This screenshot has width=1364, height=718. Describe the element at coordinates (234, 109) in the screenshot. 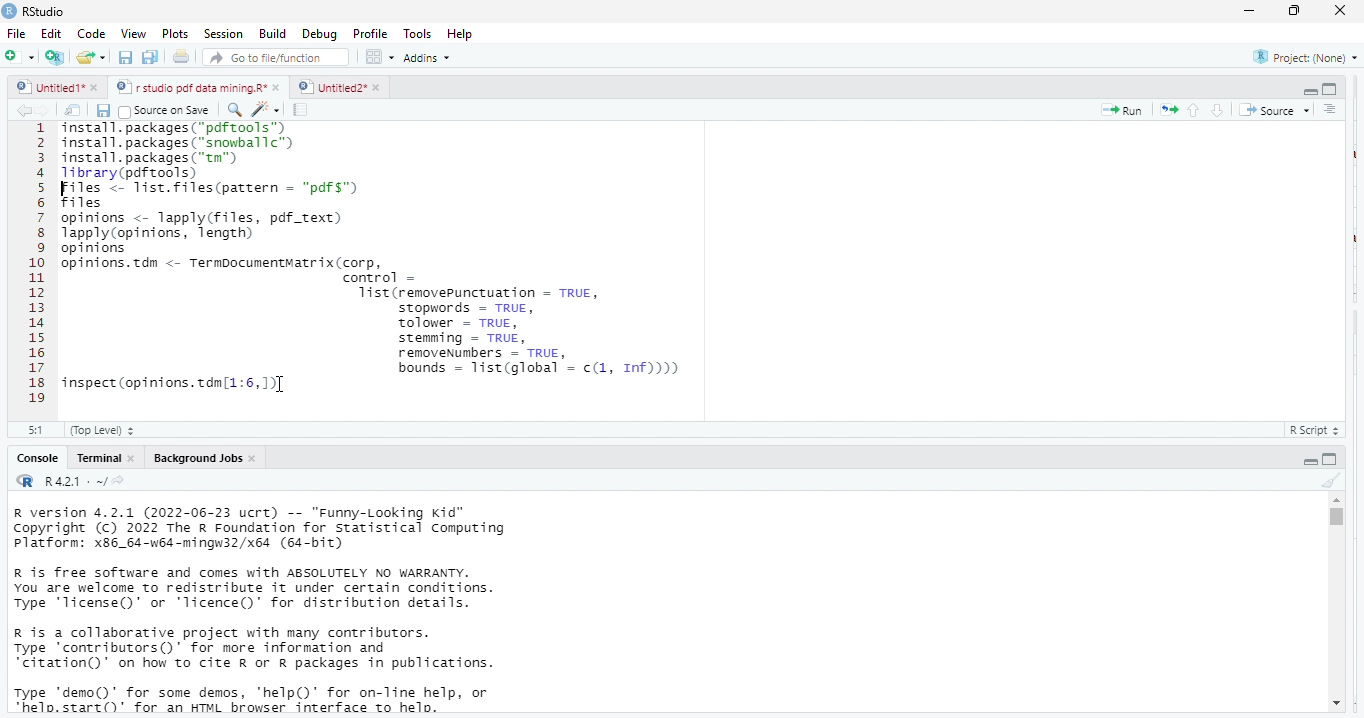

I see `find /replace` at that location.